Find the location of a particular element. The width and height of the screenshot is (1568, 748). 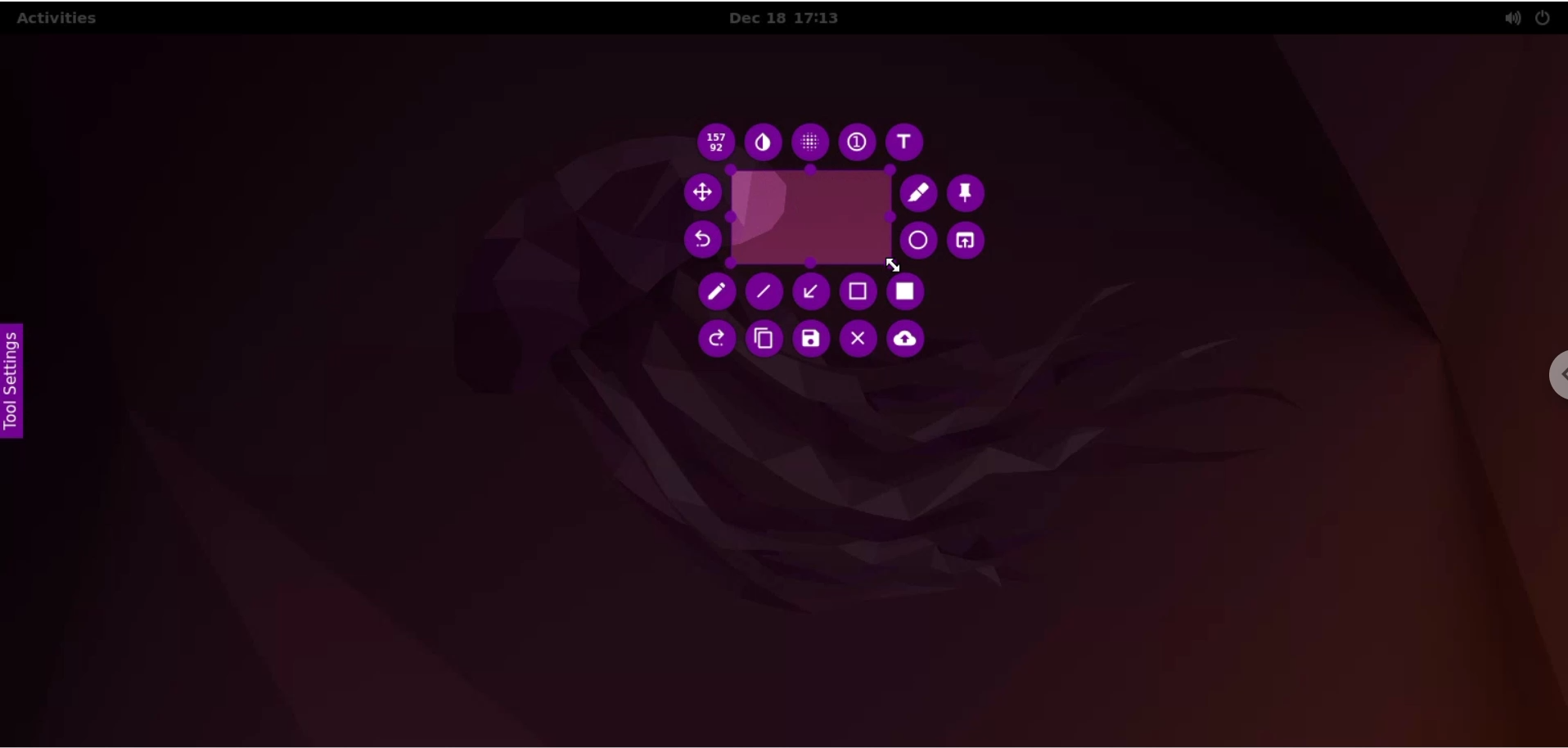

settings is located at coordinates (13, 380).